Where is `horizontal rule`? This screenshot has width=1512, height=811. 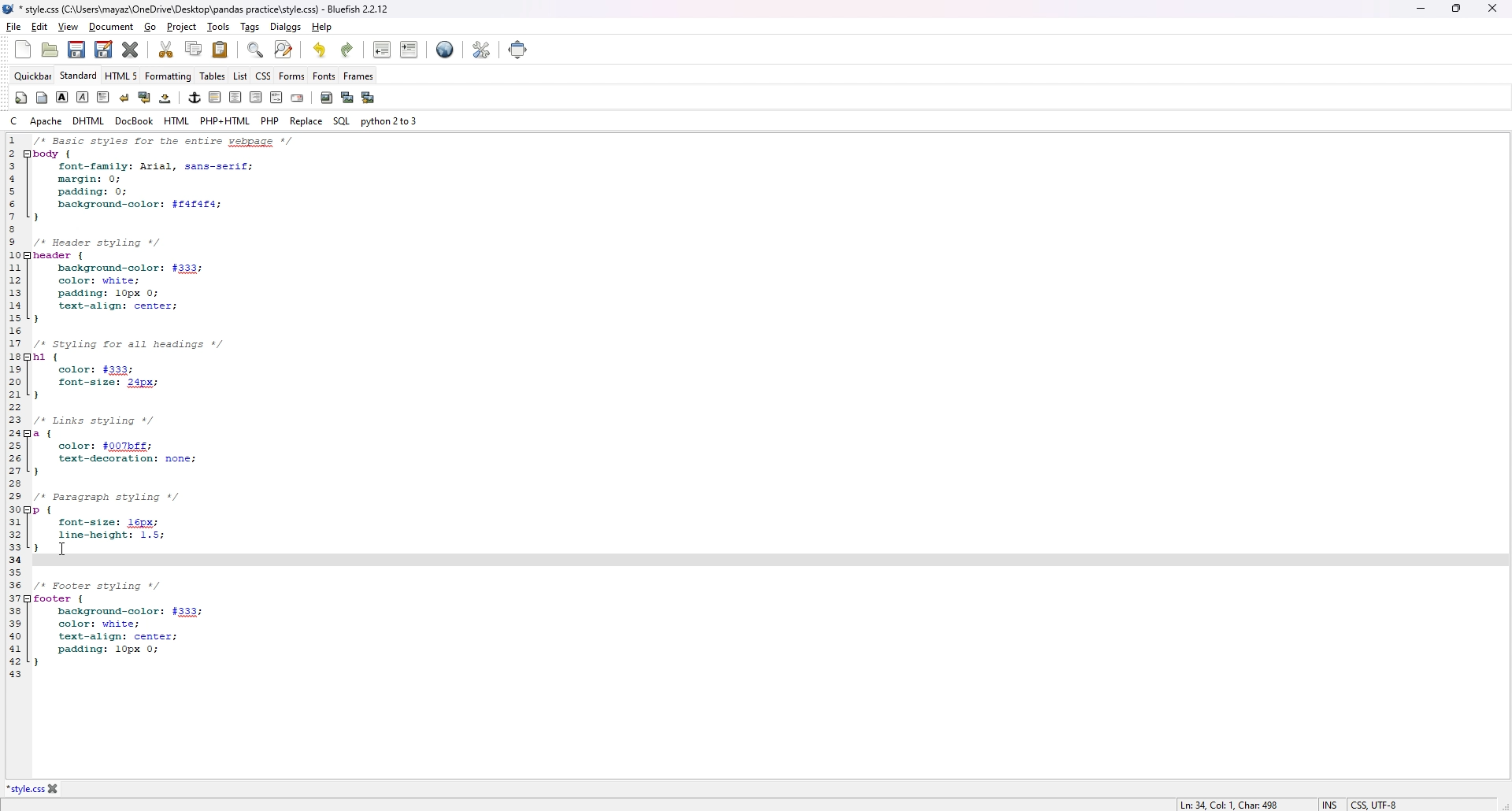
horizontal rule is located at coordinates (215, 97).